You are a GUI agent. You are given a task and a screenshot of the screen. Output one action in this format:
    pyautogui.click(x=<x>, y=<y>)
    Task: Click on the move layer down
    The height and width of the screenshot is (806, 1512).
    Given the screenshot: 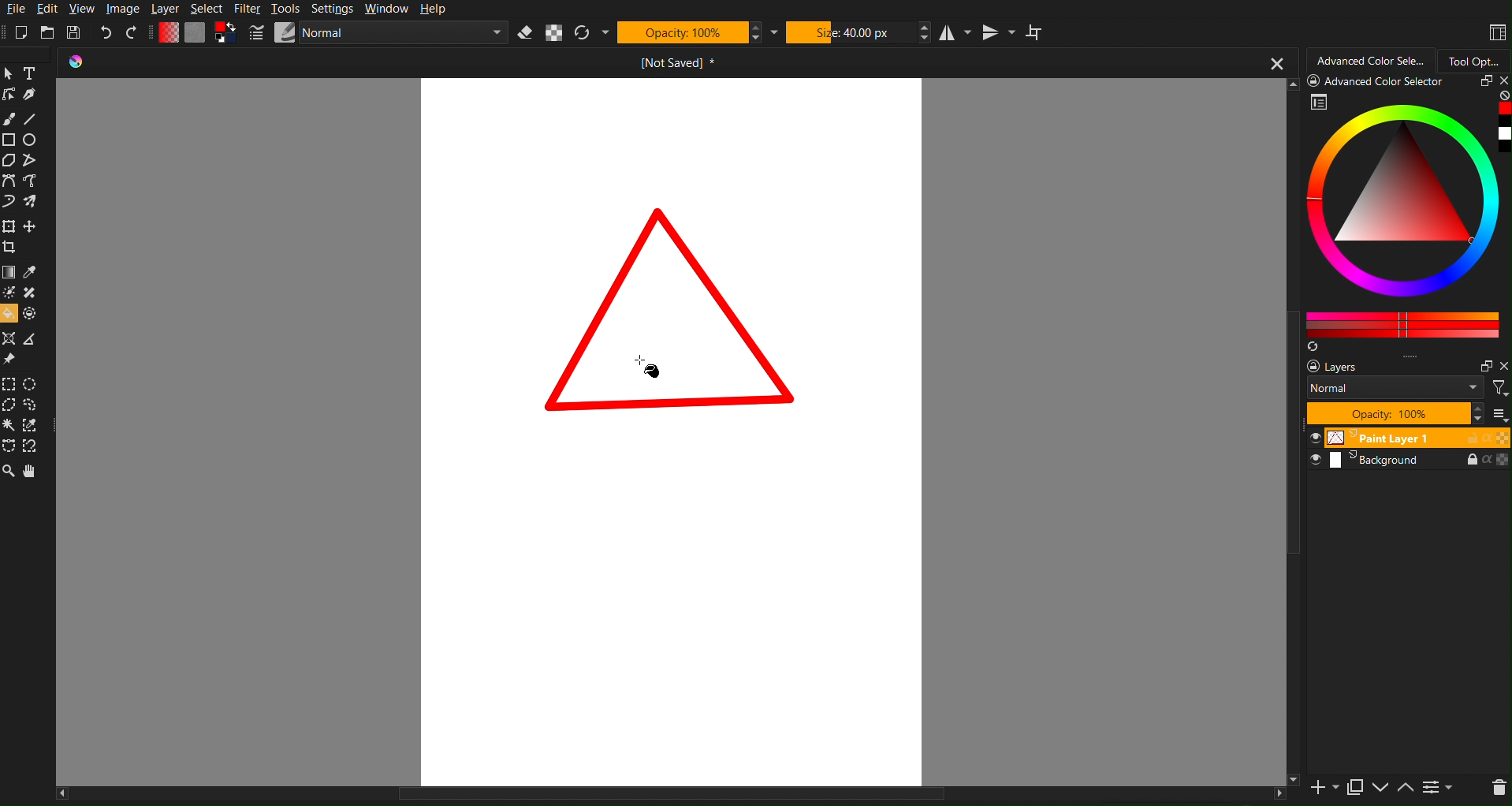 What is the action you would take?
    pyautogui.click(x=1380, y=789)
    